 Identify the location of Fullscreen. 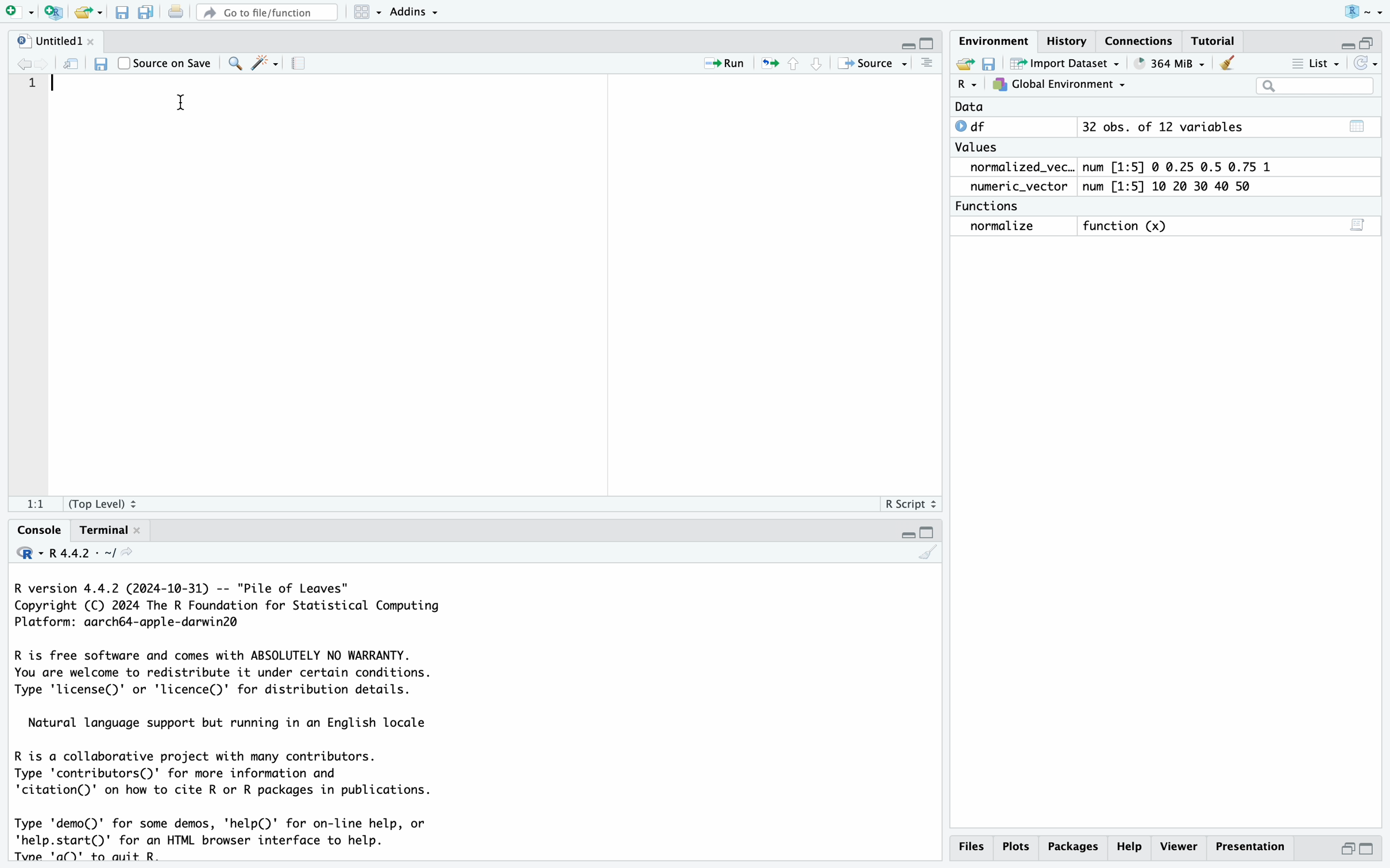
(914, 533).